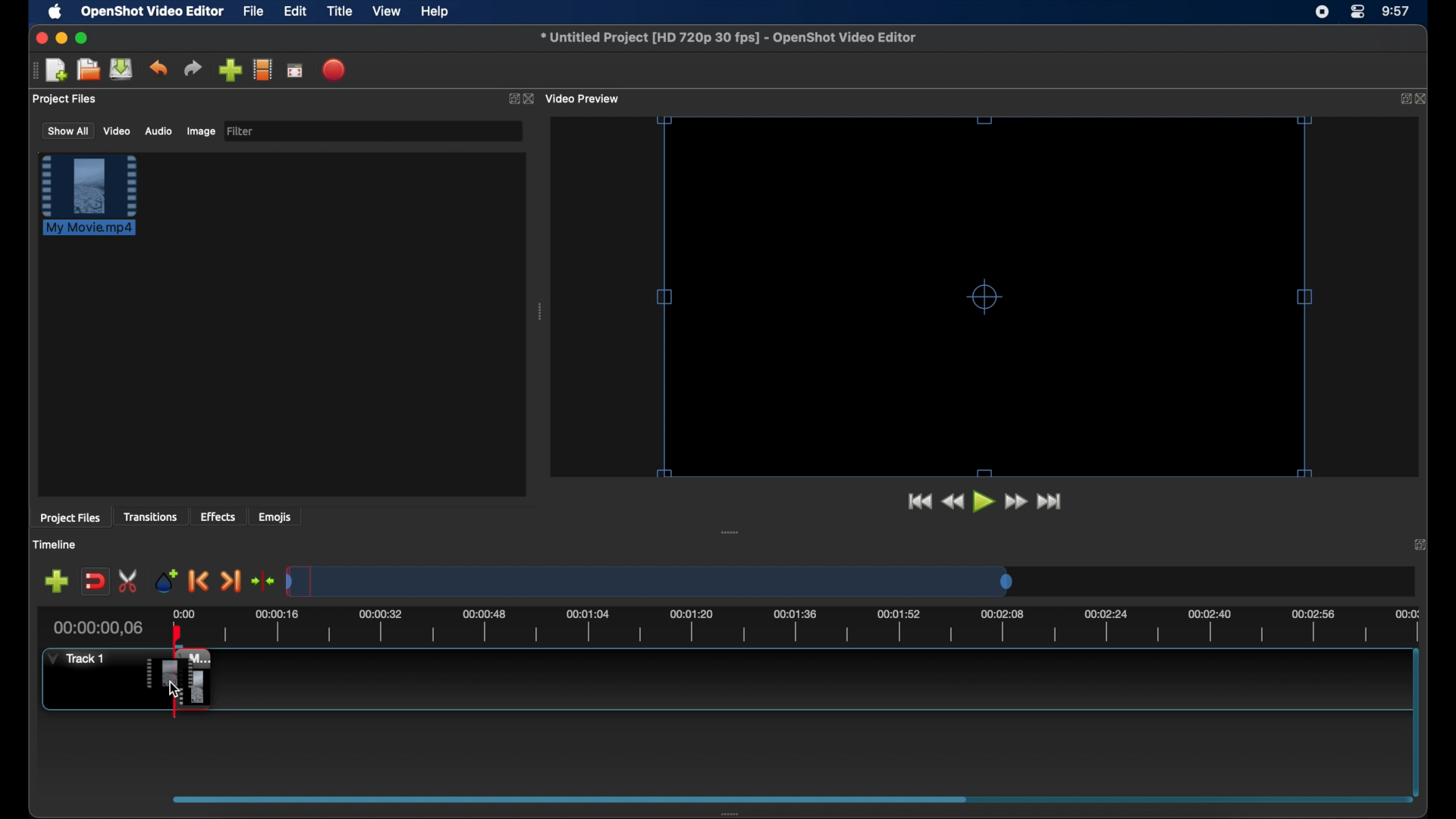 The width and height of the screenshot is (1456, 819). I want to click on timeline, so click(55, 544).